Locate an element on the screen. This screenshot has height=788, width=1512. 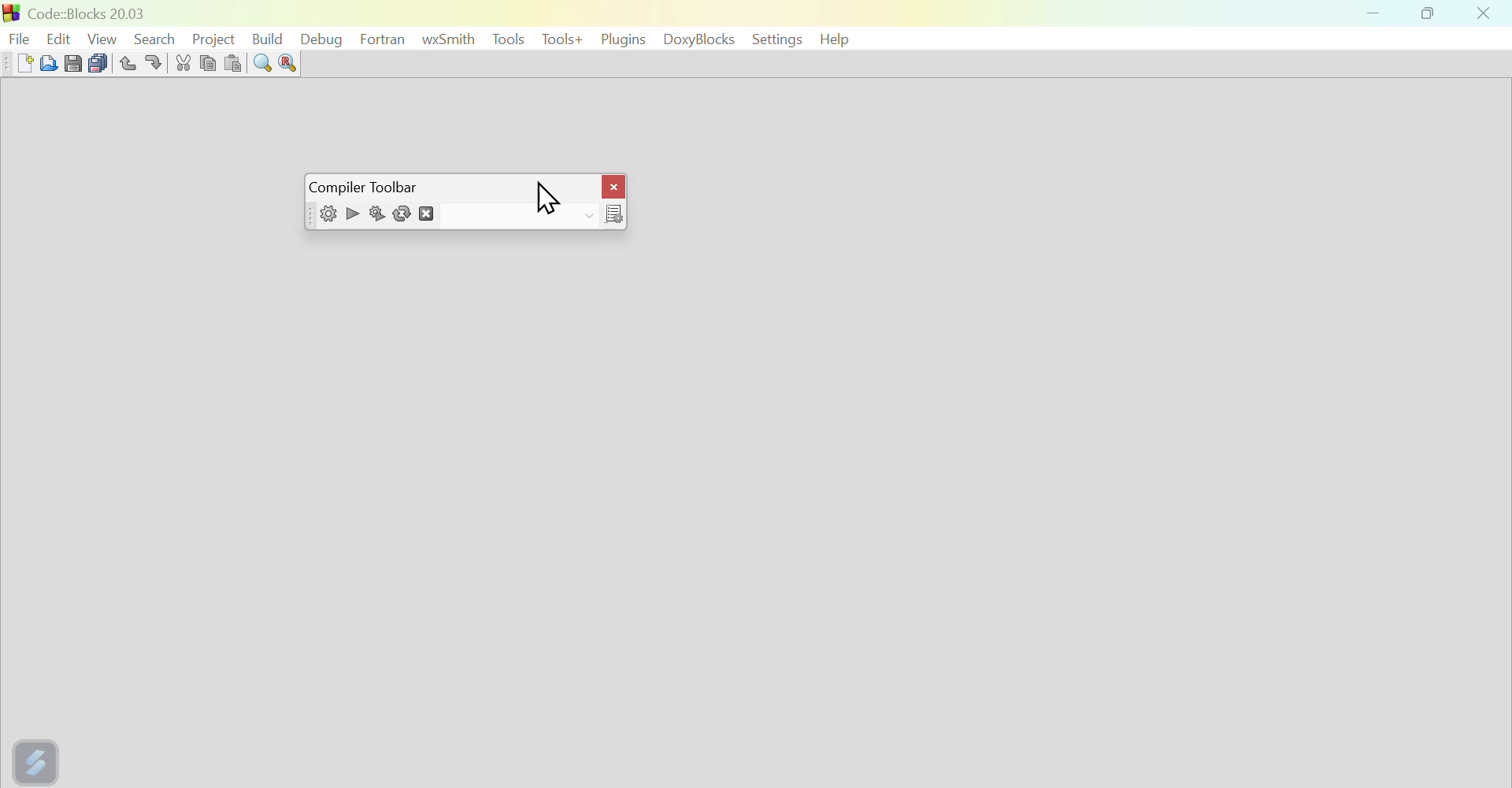
 is located at coordinates (377, 216).